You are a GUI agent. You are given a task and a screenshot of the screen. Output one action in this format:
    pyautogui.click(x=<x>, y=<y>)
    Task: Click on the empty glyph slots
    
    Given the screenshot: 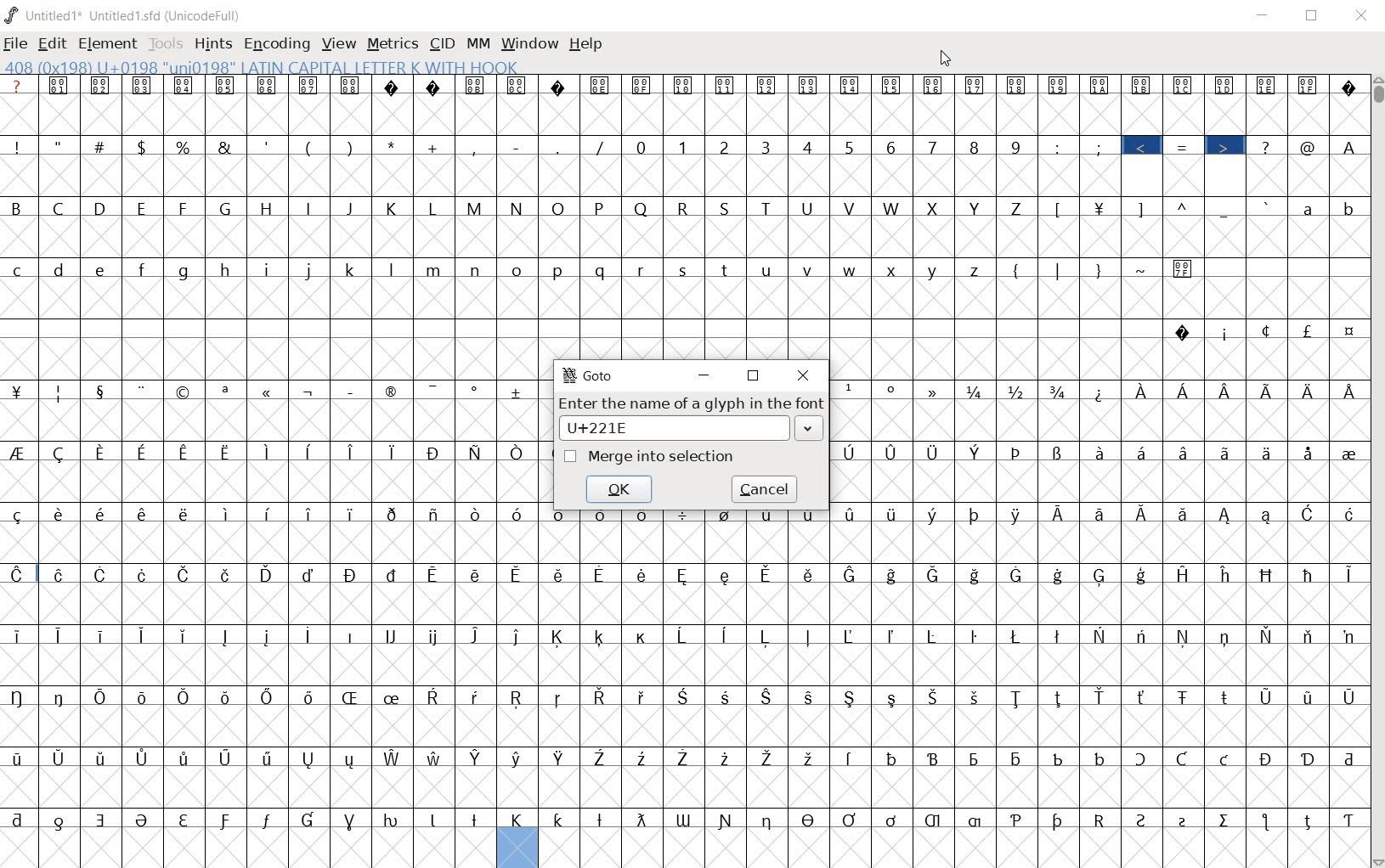 What is the action you would take?
    pyautogui.click(x=685, y=300)
    